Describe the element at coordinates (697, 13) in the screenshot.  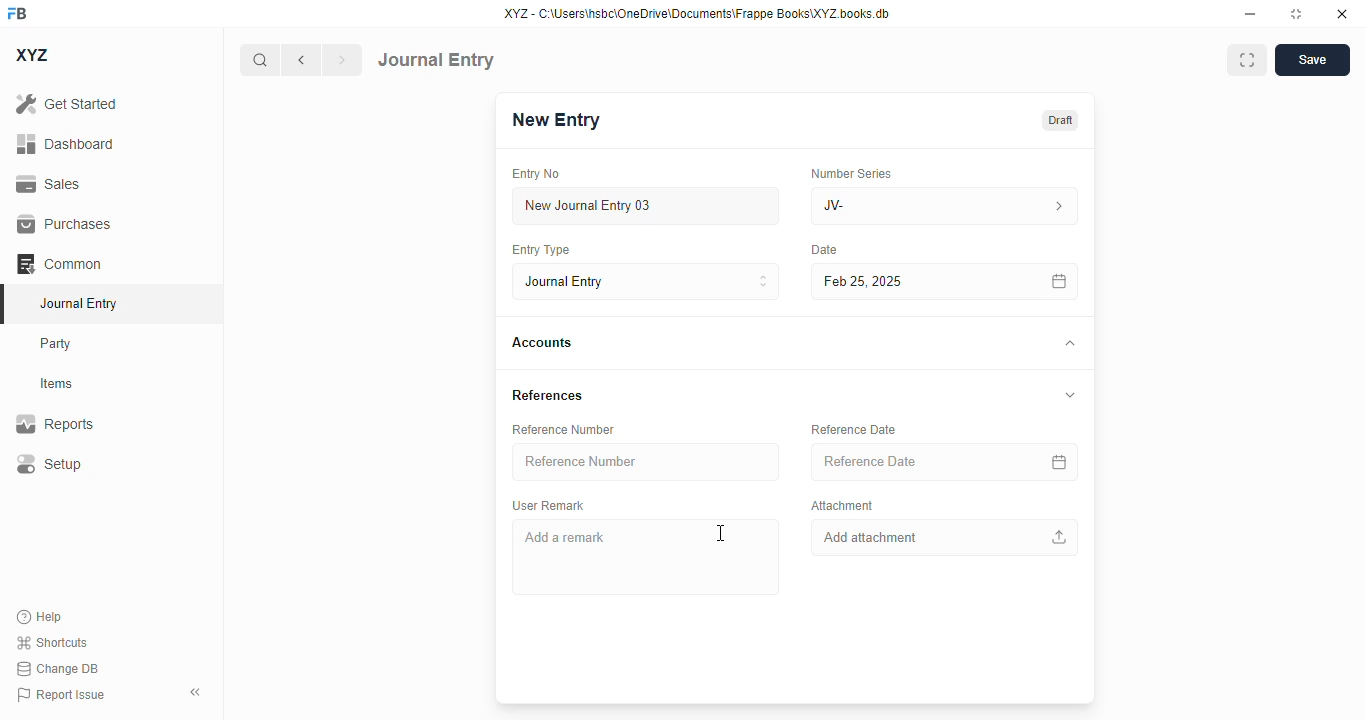
I see `XYZ - C:\Users\hsbc\OneDrive\Documents\Frappe Books\XYZ books.db` at that location.